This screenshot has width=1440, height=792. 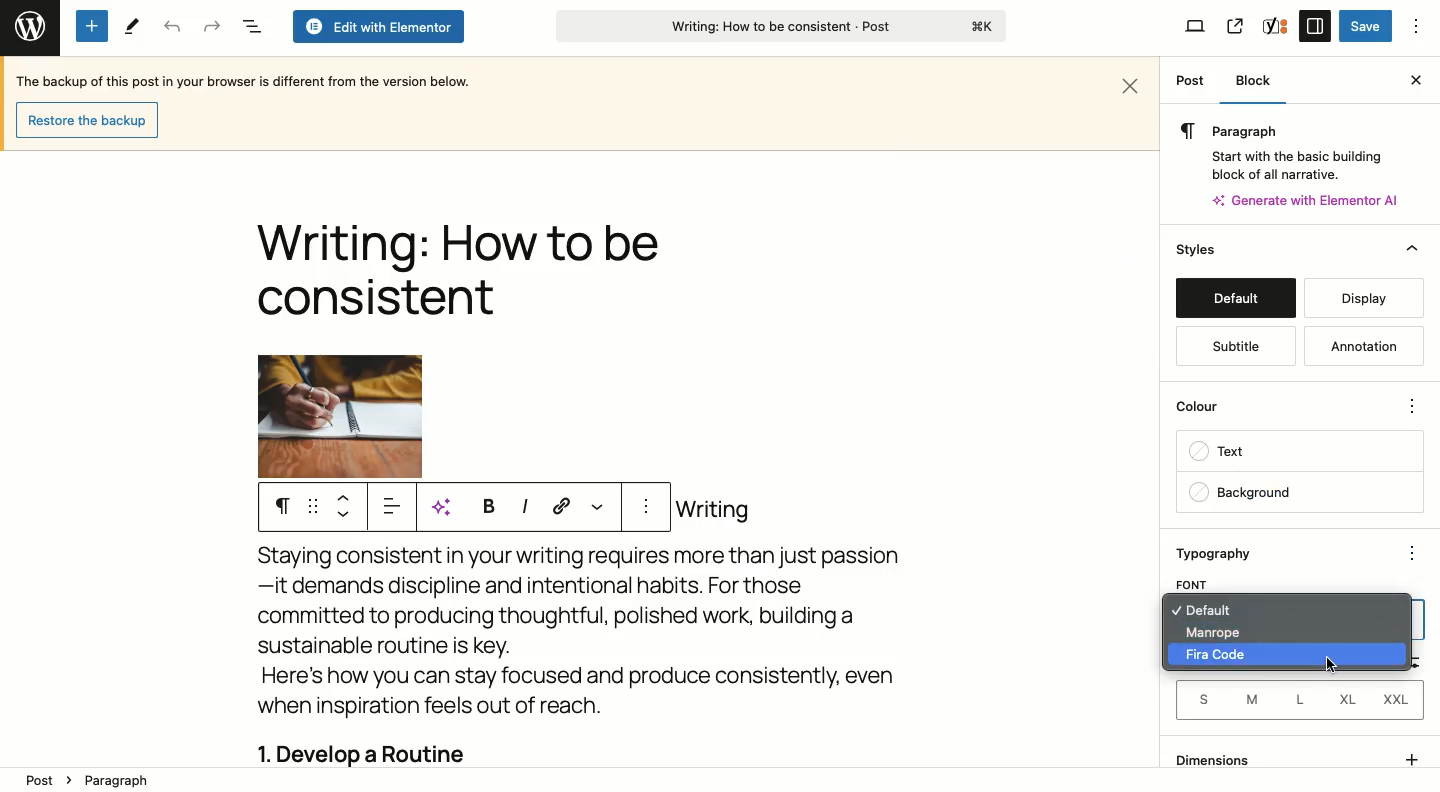 What do you see at coordinates (1417, 26) in the screenshot?
I see `Options` at bounding box center [1417, 26].